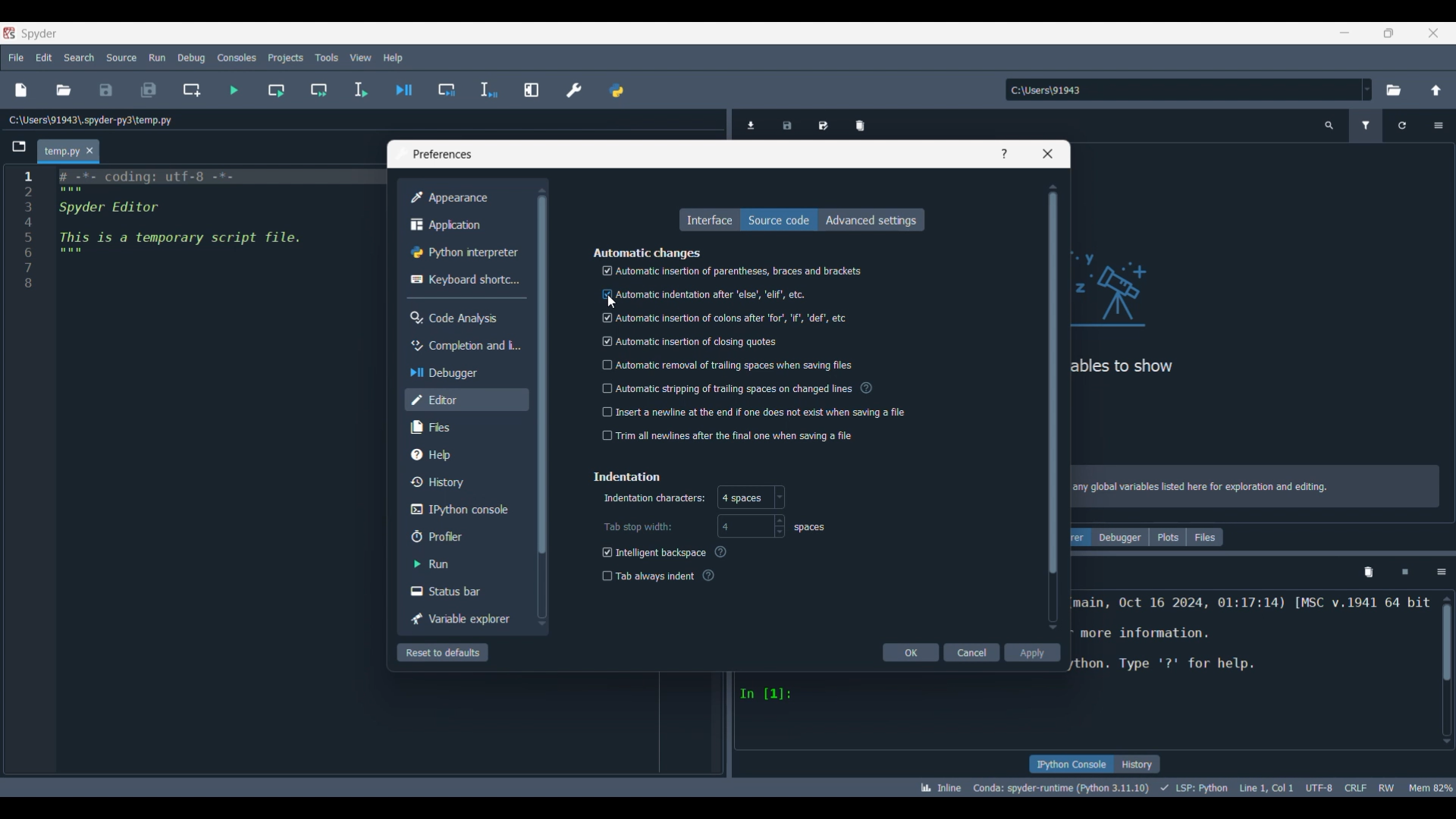 The width and height of the screenshot is (1456, 819). I want to click on Tools menu, so click(327, 57).